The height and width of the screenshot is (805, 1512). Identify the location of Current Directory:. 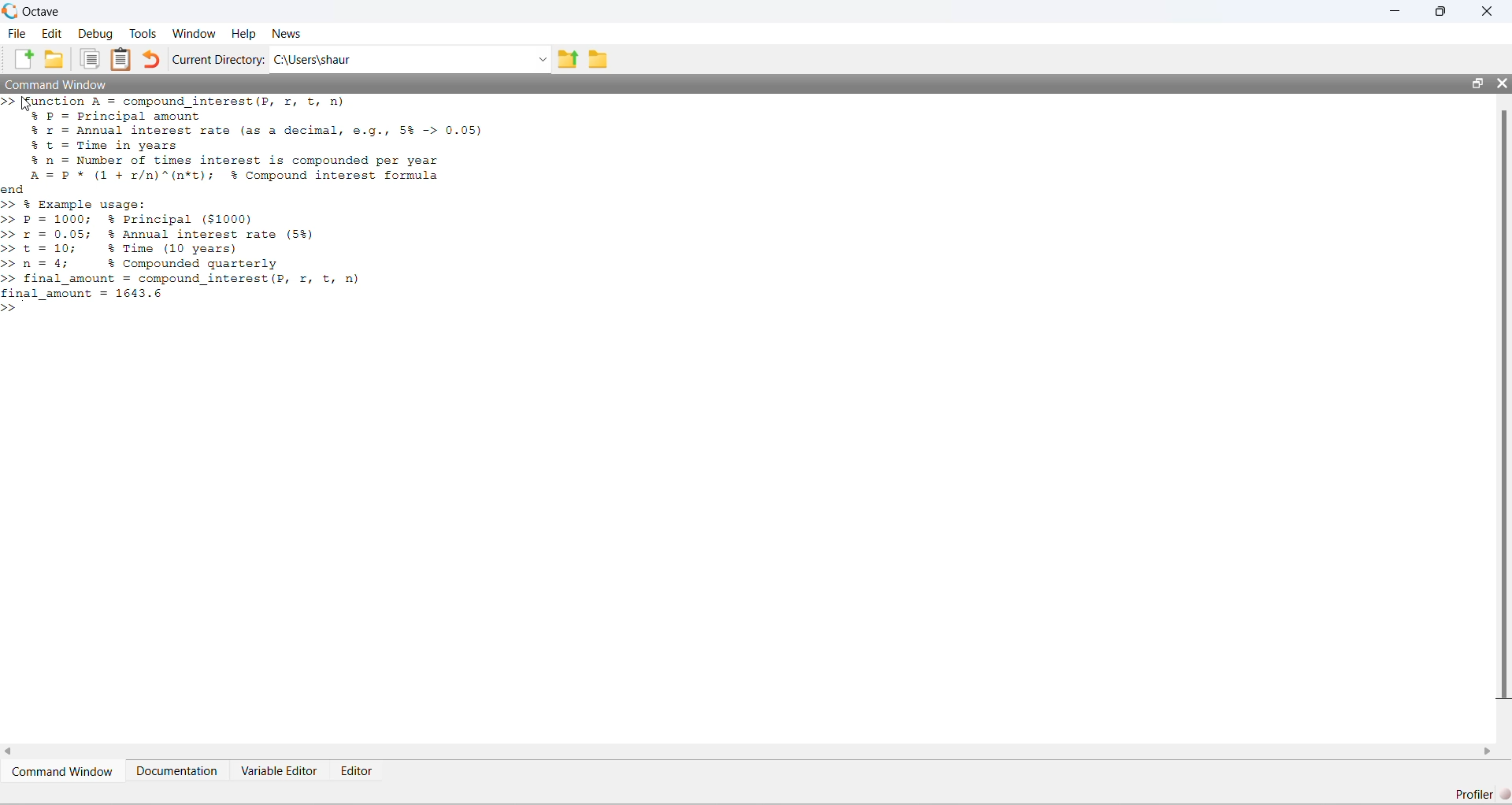
(218, 60).